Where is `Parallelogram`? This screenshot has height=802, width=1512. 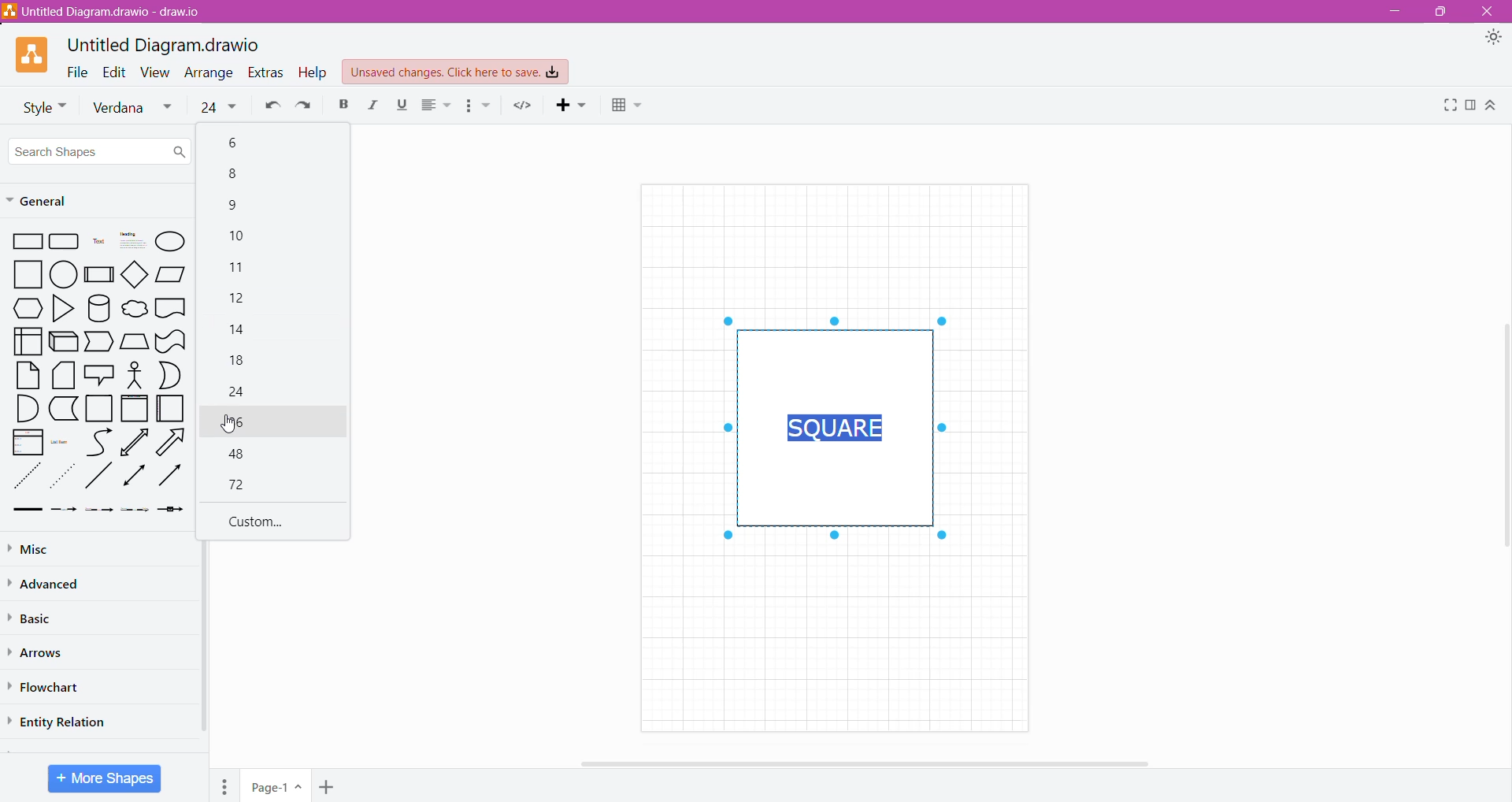
Parallelogram is located at coordinates (172, 275).